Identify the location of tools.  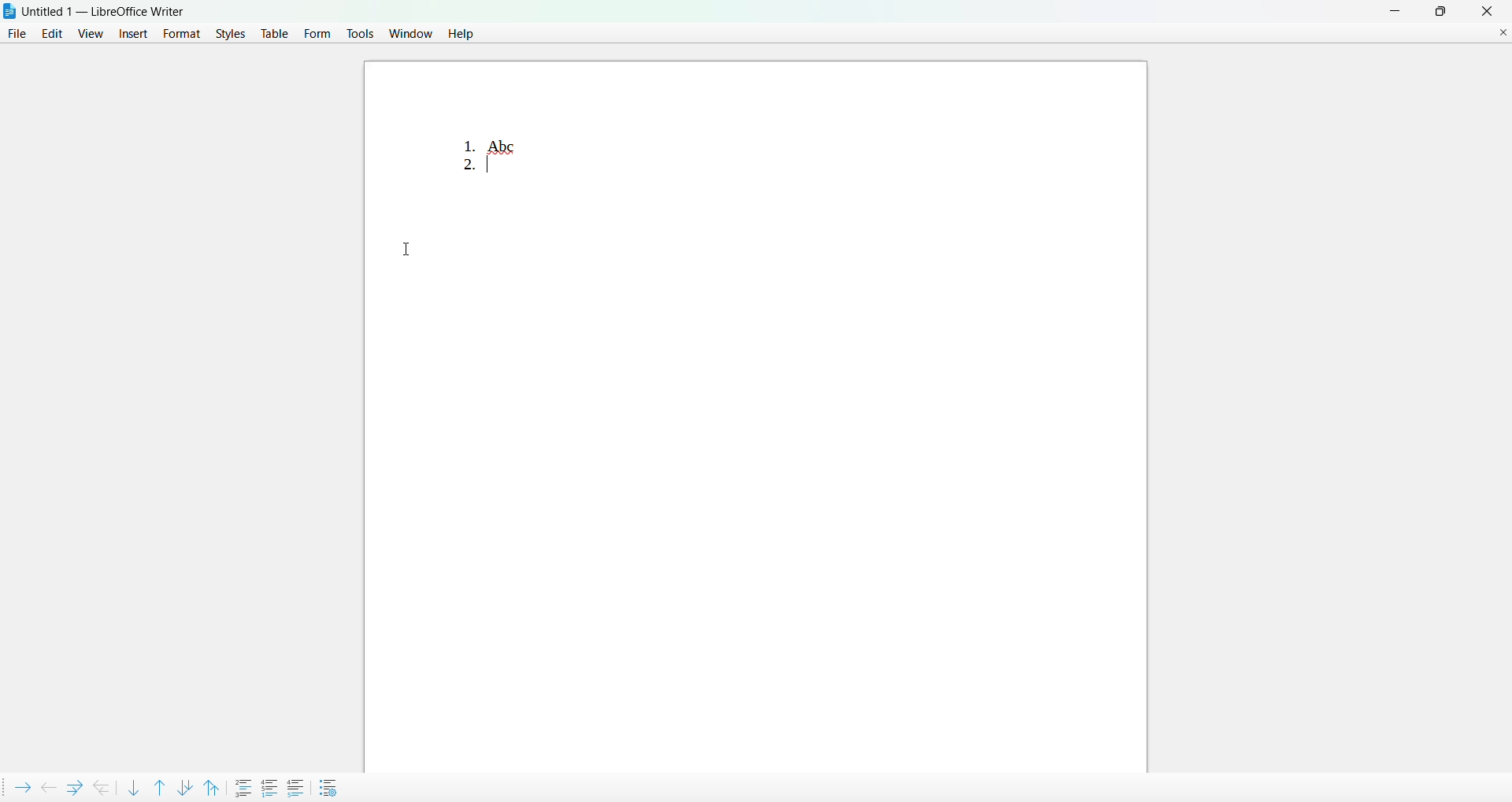
(360, 32).